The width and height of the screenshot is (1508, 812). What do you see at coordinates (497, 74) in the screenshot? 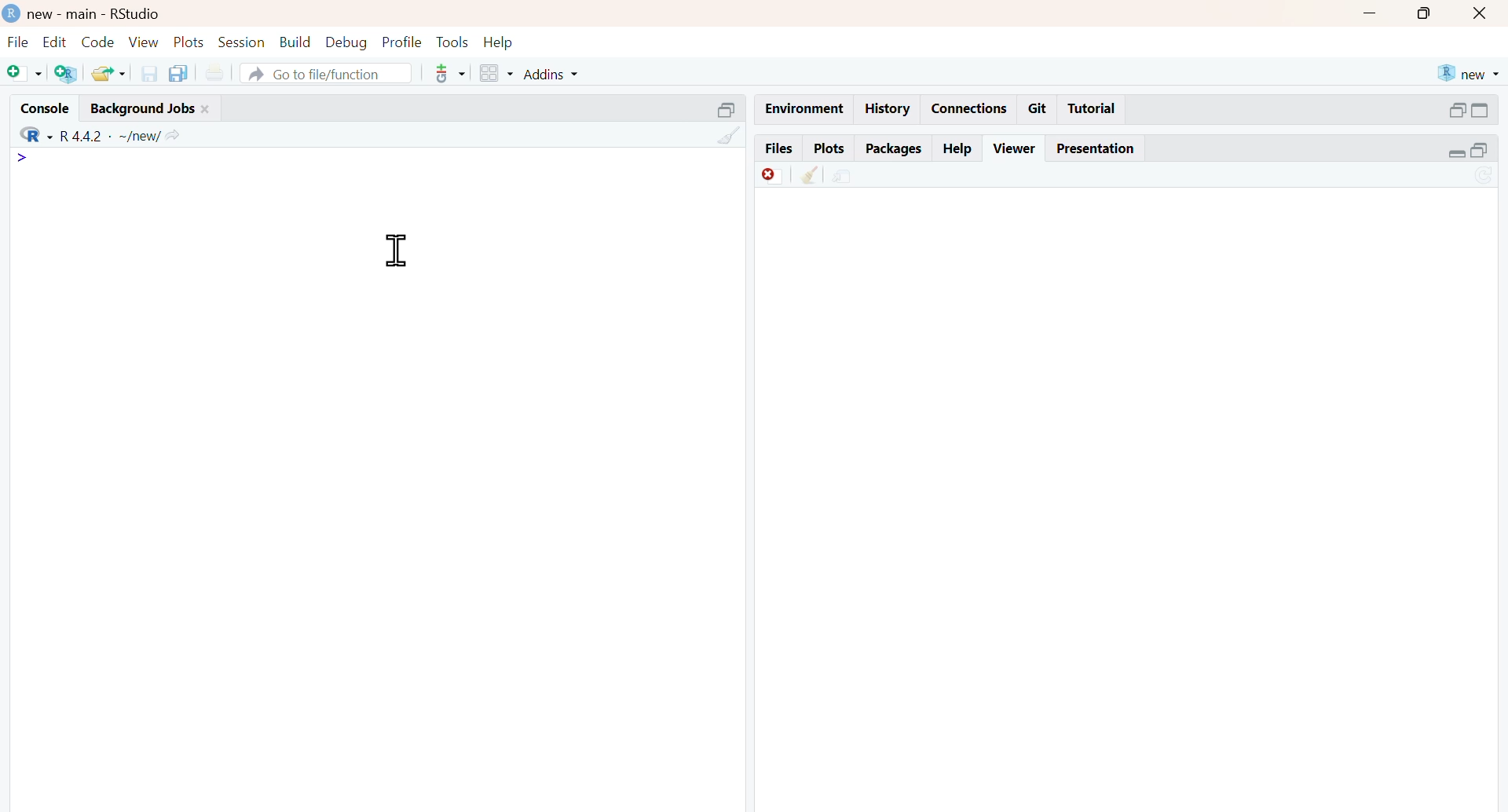
I see `grid` at bounding box center [497, 74].